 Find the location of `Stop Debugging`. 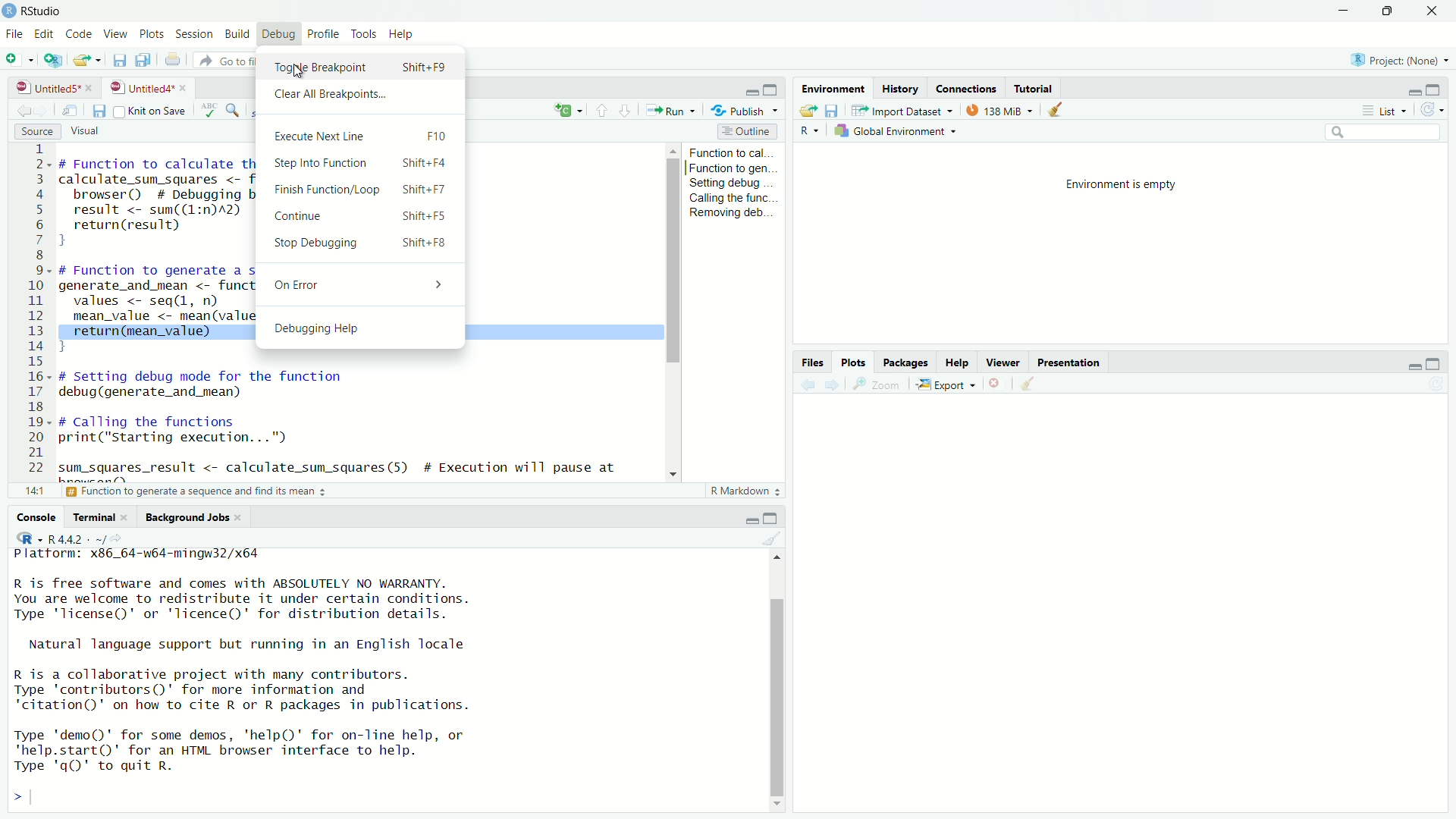

Stop Debugging is located at coordinates (368, 244).